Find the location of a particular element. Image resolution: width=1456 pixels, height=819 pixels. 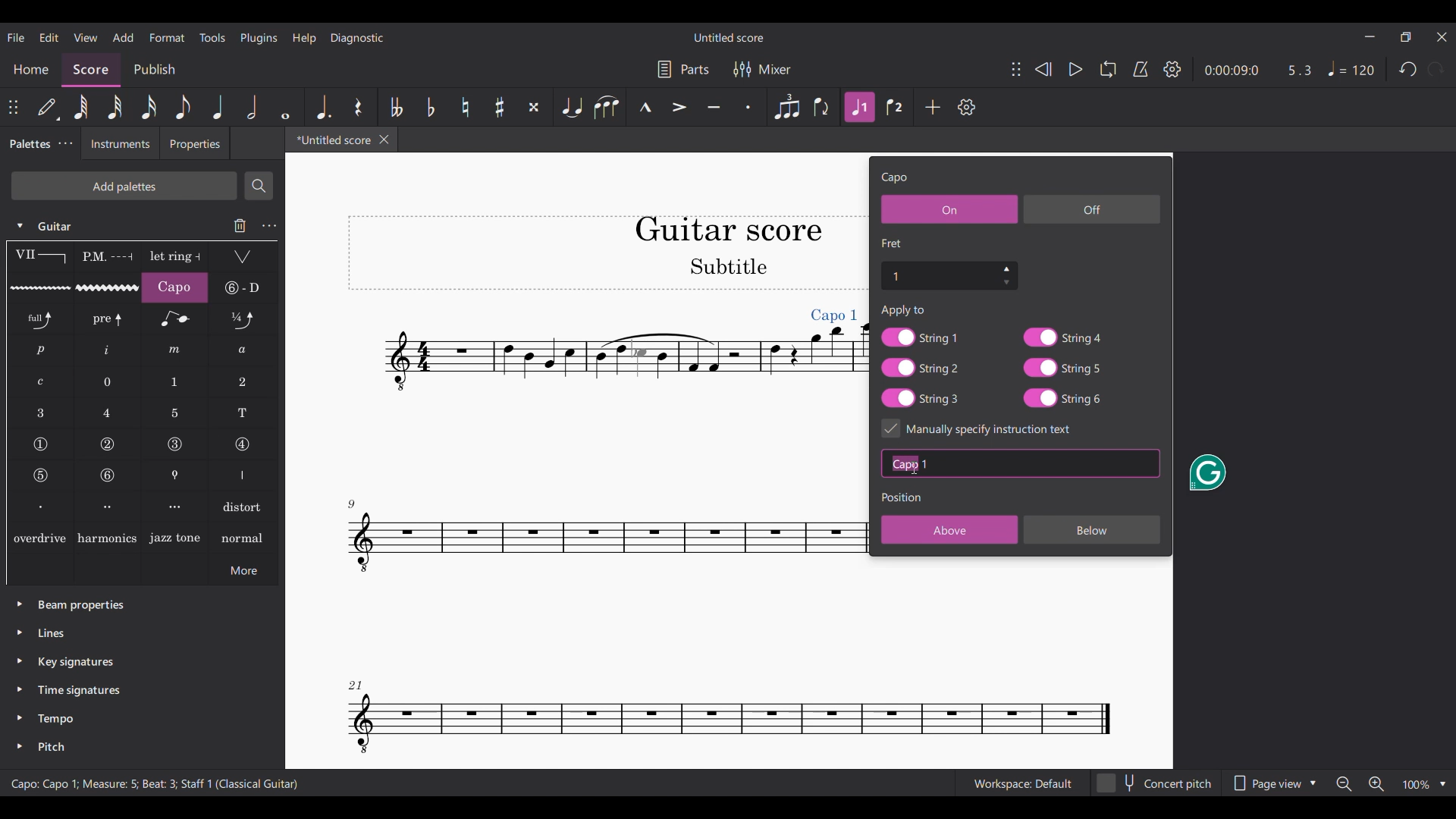

Delete is located at coordinates (240, 225).